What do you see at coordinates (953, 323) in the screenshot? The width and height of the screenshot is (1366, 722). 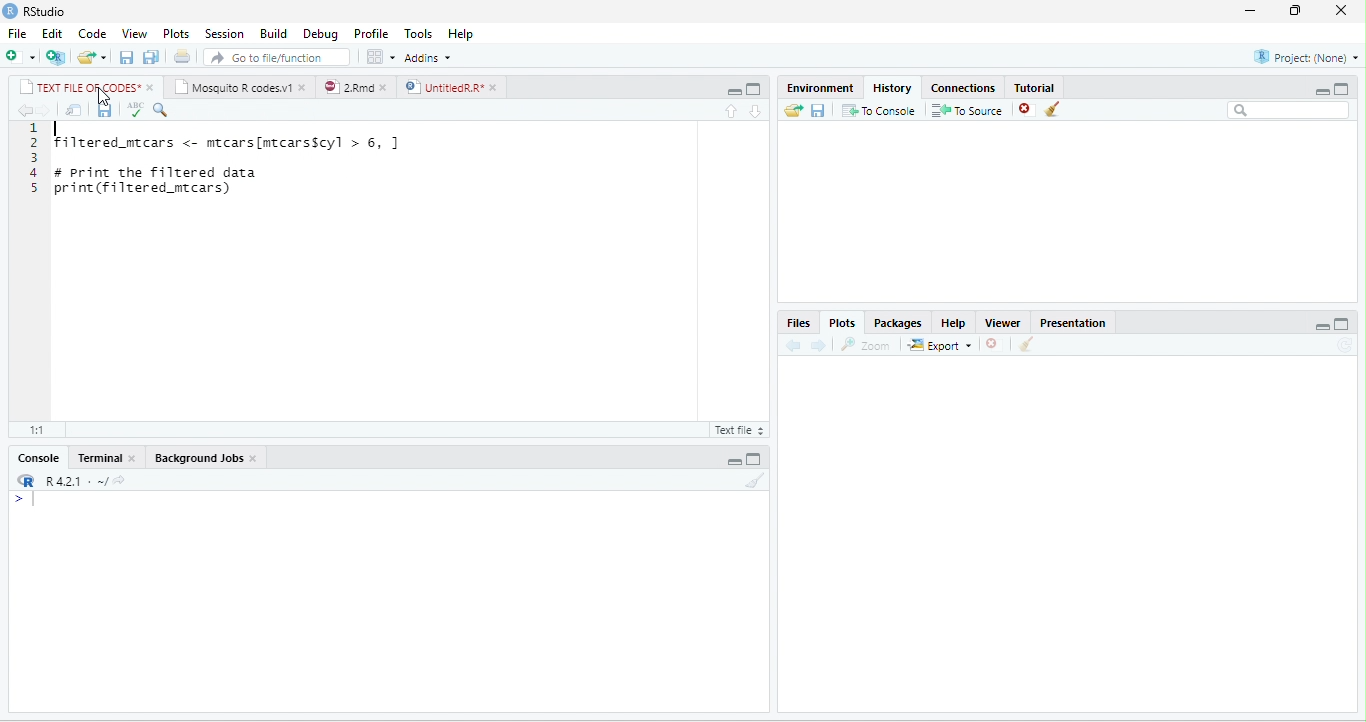 I see `Help` at bounding box center [953, 323].